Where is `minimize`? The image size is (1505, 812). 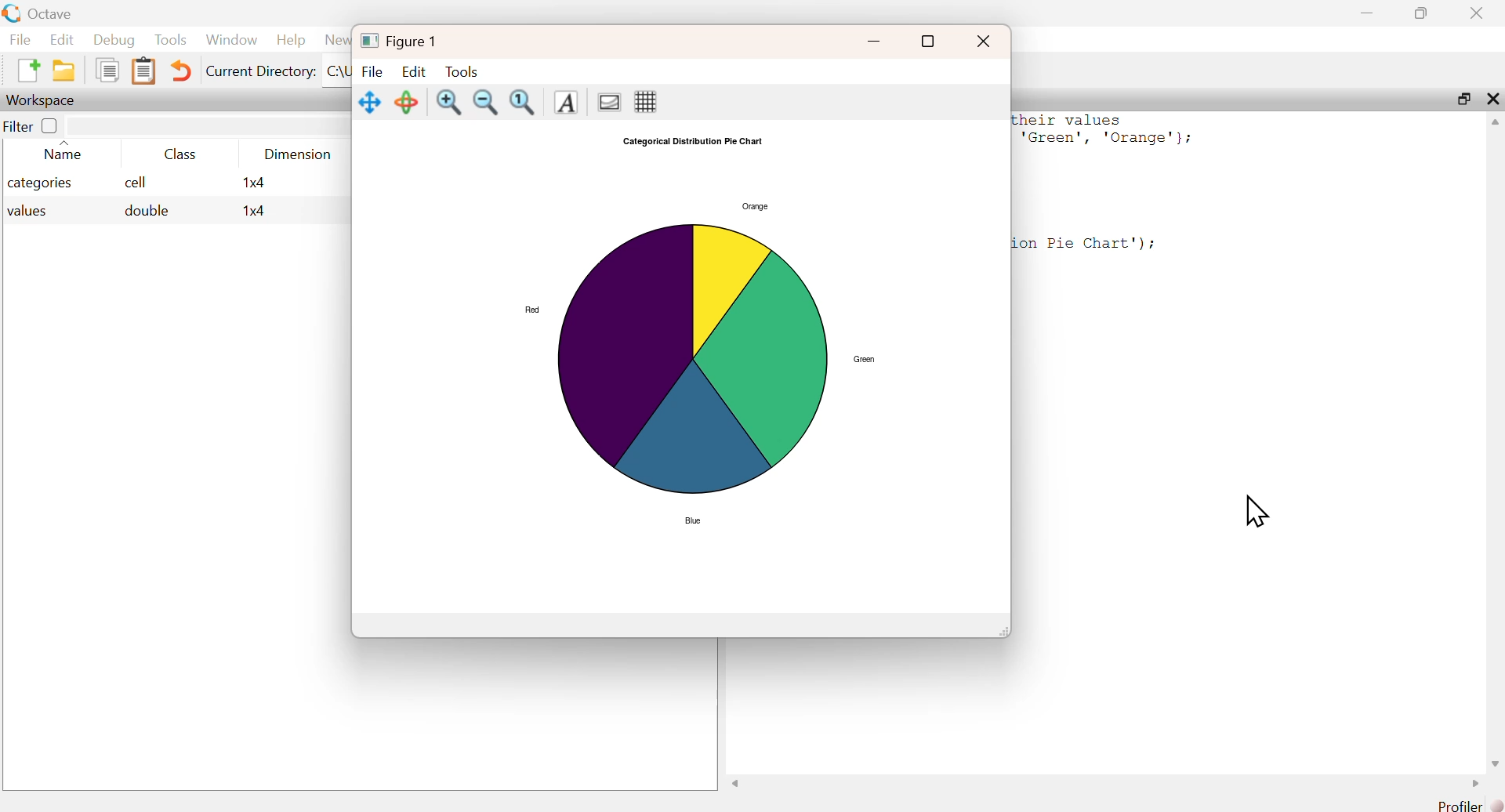 minimize is located at coordinates (874, 41).